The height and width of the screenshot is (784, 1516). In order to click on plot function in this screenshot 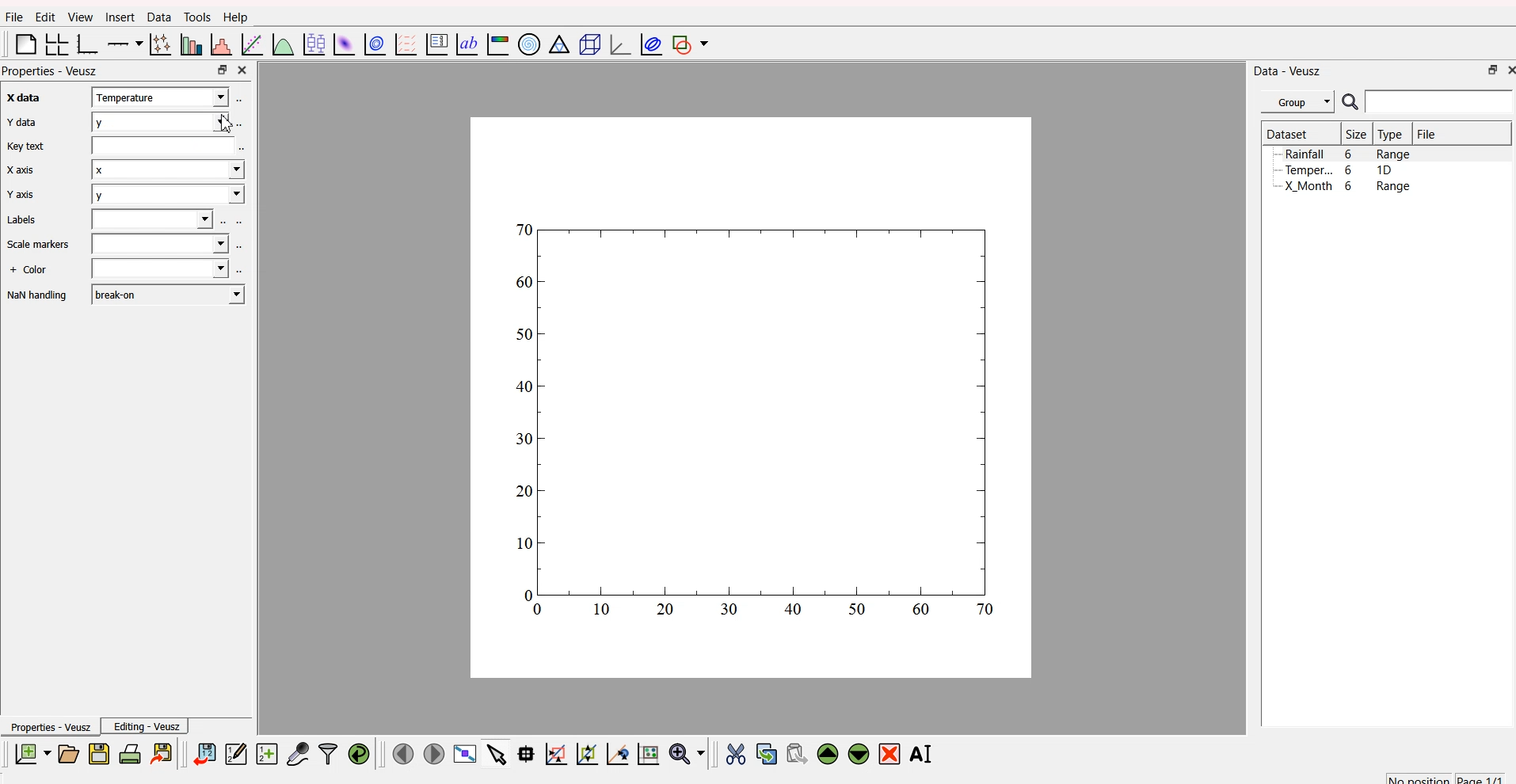, I will do `click(283, 45)`.